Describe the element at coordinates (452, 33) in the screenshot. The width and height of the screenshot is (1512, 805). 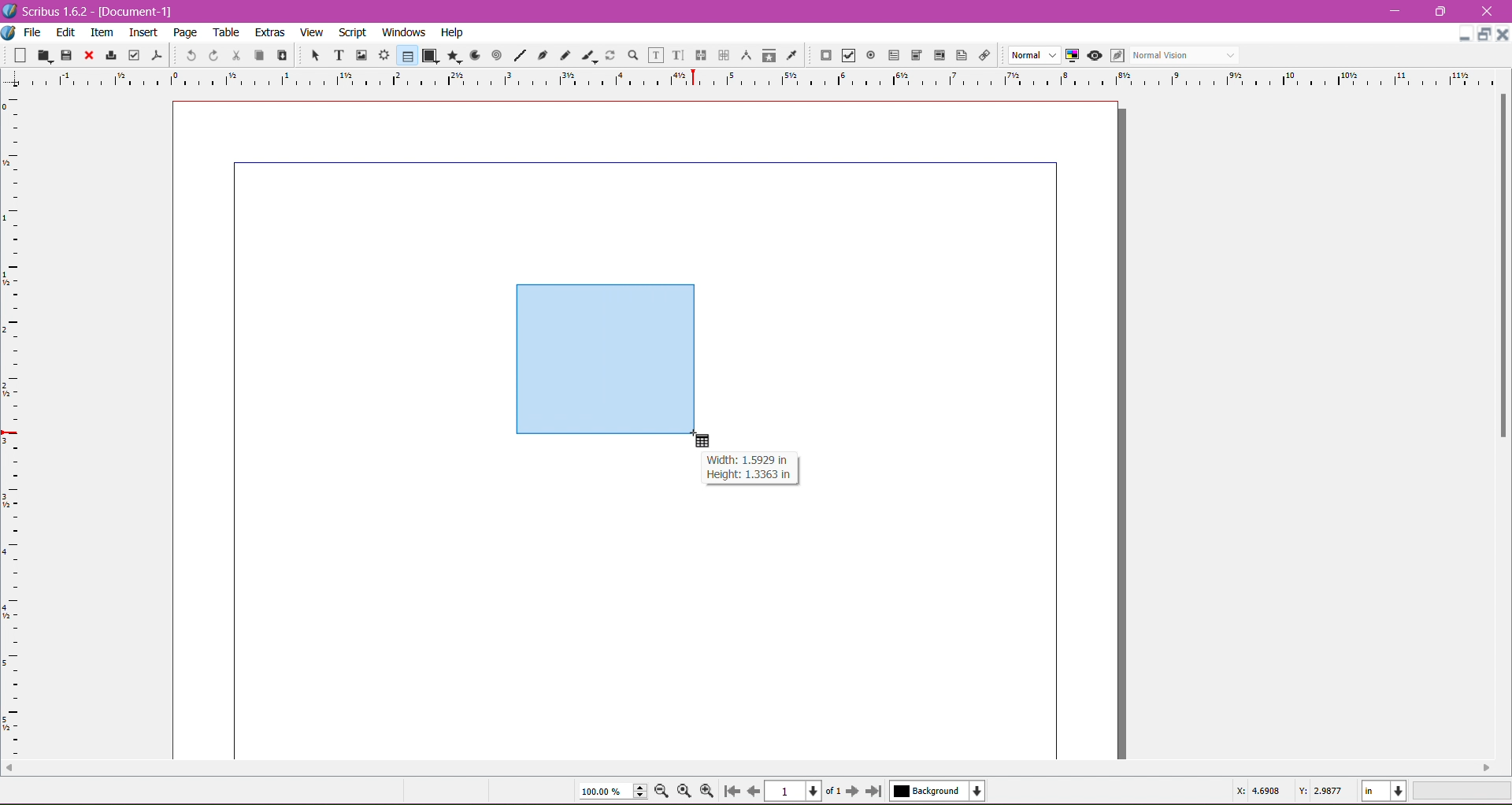
I see `Help` at that location.